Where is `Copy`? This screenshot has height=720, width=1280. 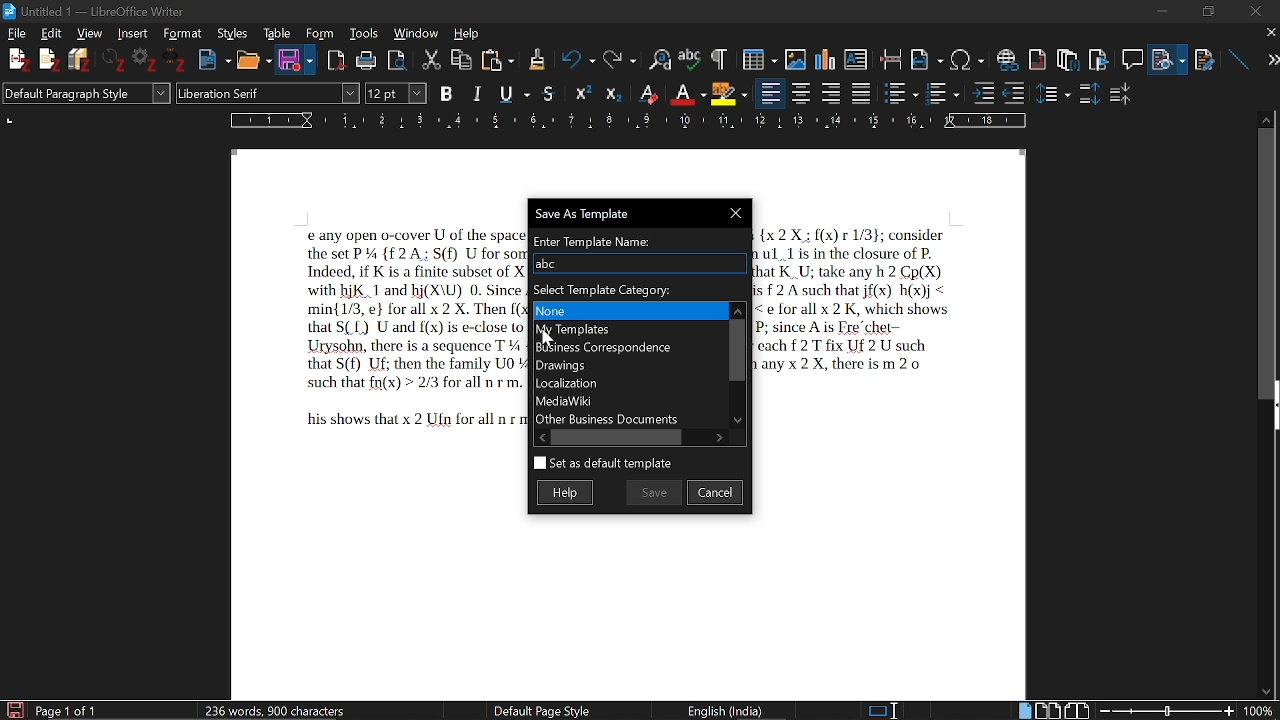 Copy is located at coordinates (463, 58).